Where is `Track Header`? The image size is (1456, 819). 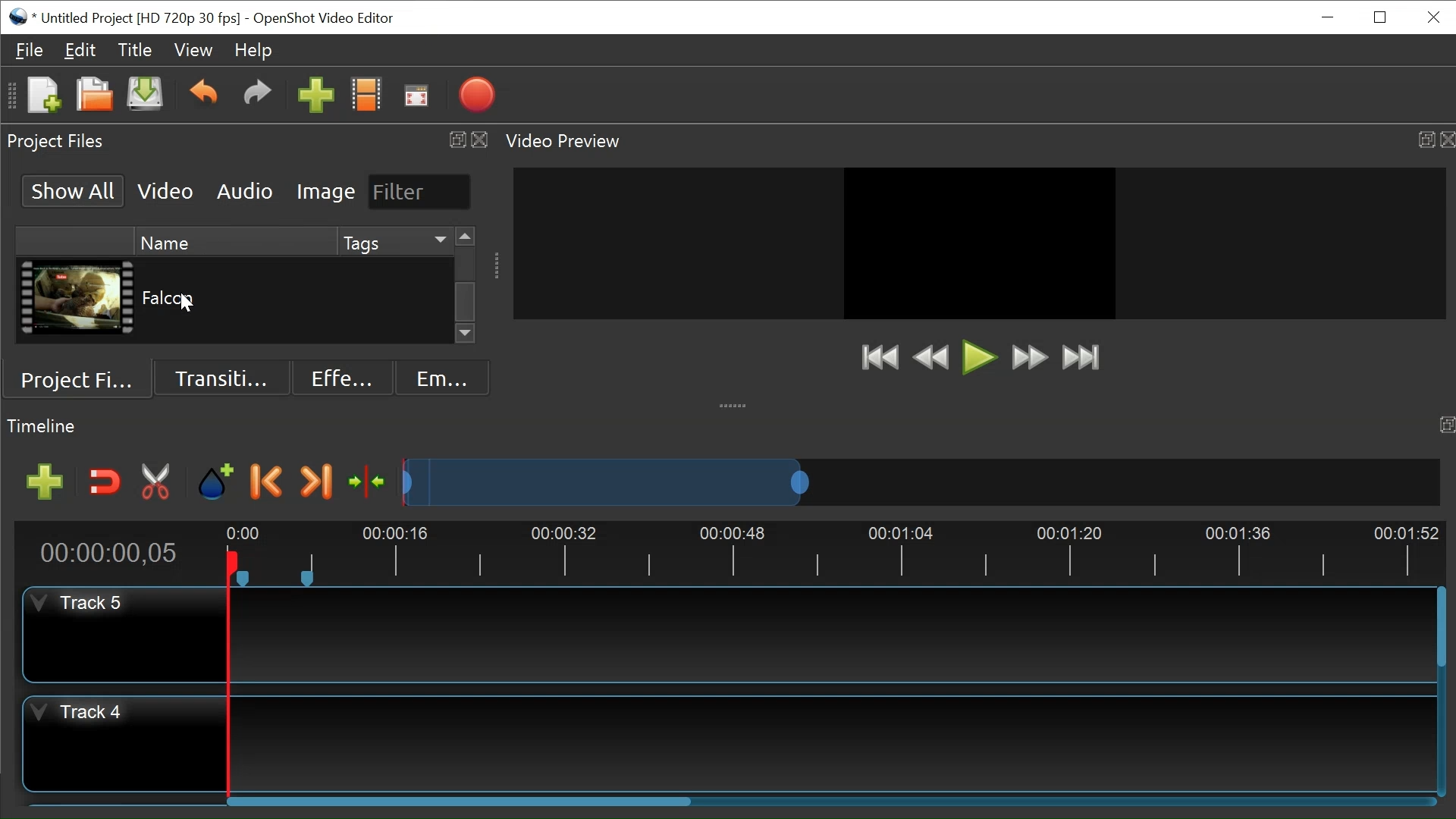 Track Header is located at coordinates (74, 715).